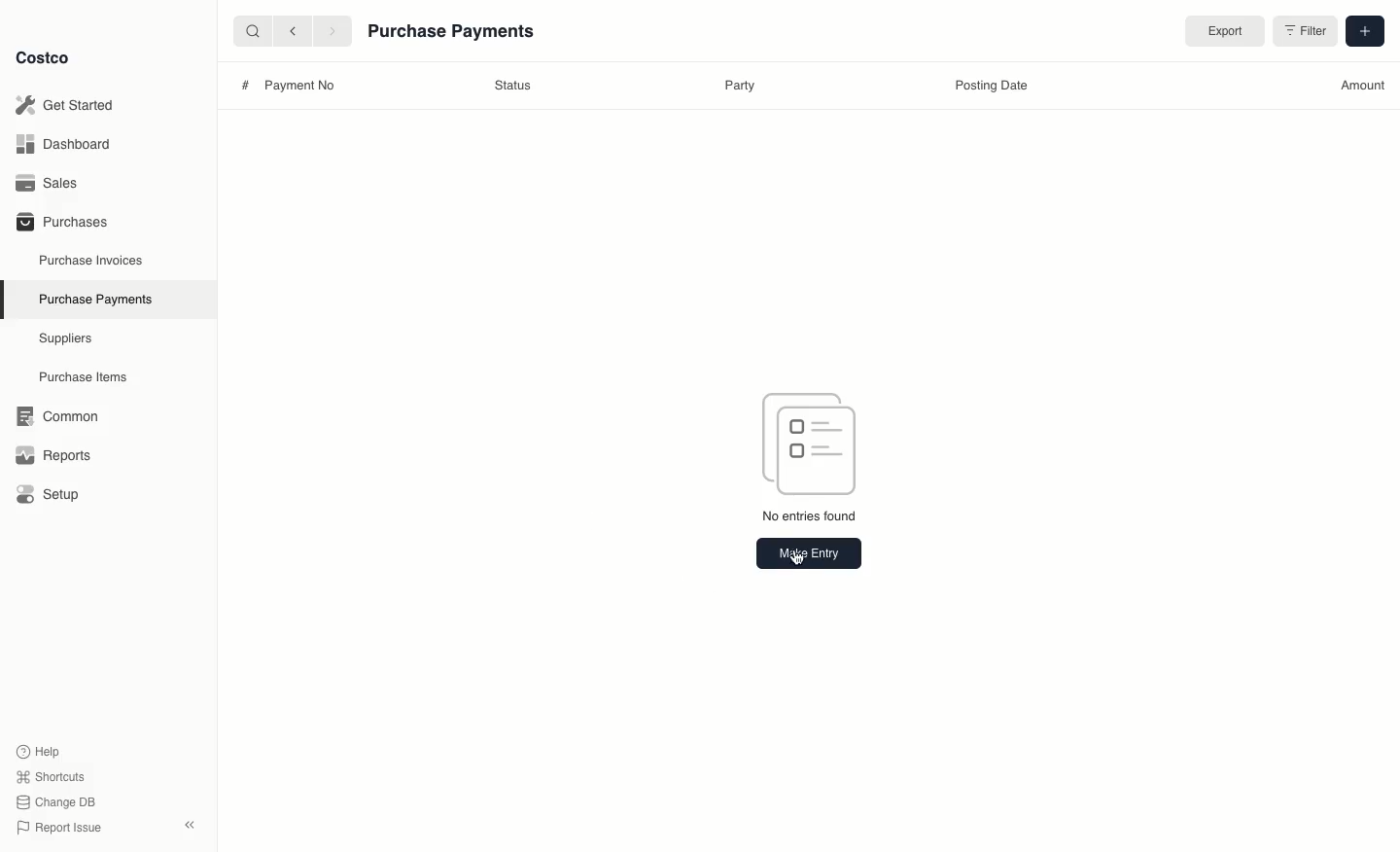 The height and width of the screenshot is (852, 1400). Describe the element at coordinates (53, 183) in the screenshot. I see `Sales` at that location.